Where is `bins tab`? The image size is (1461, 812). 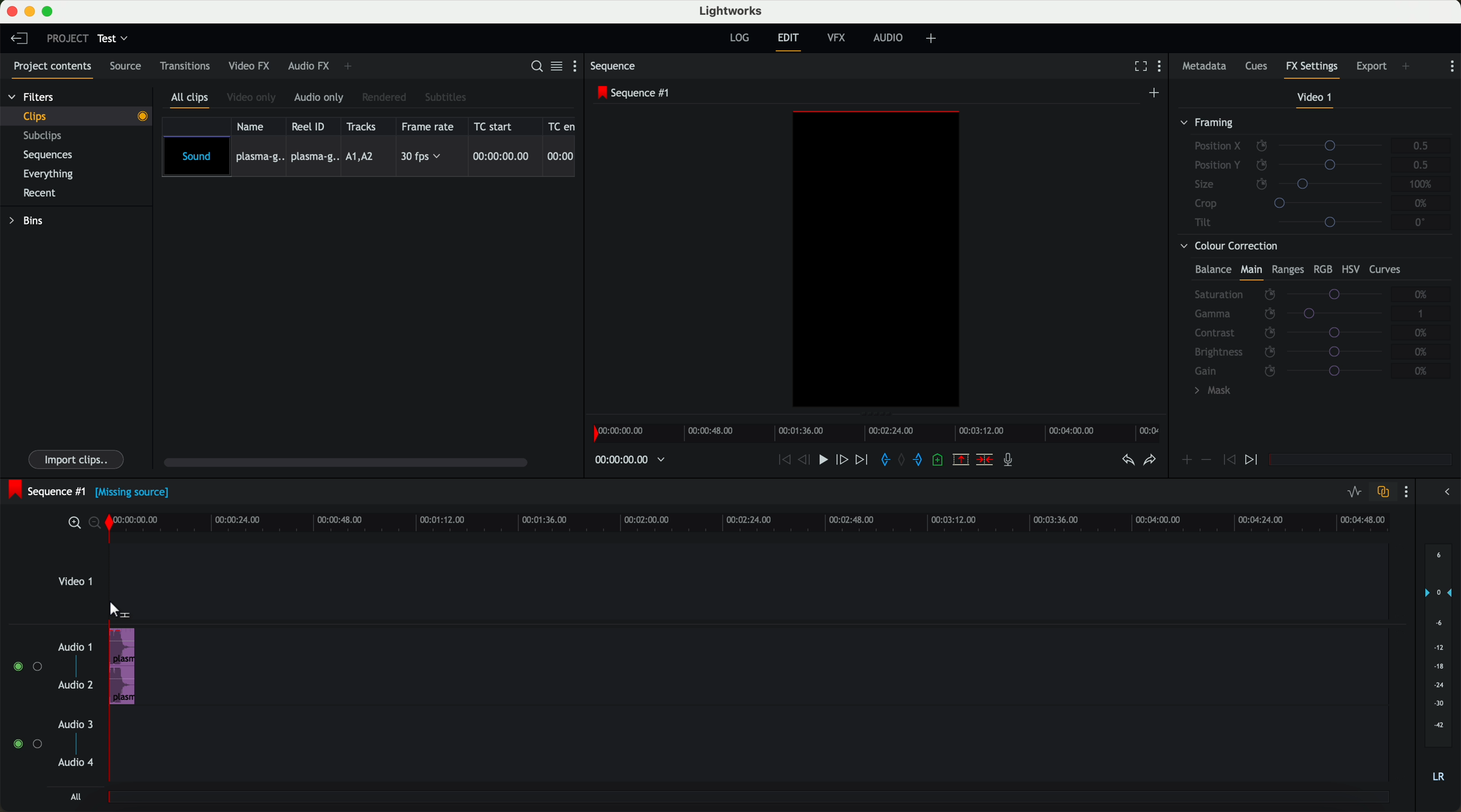
bins tab is located at coordinates (30, 222).